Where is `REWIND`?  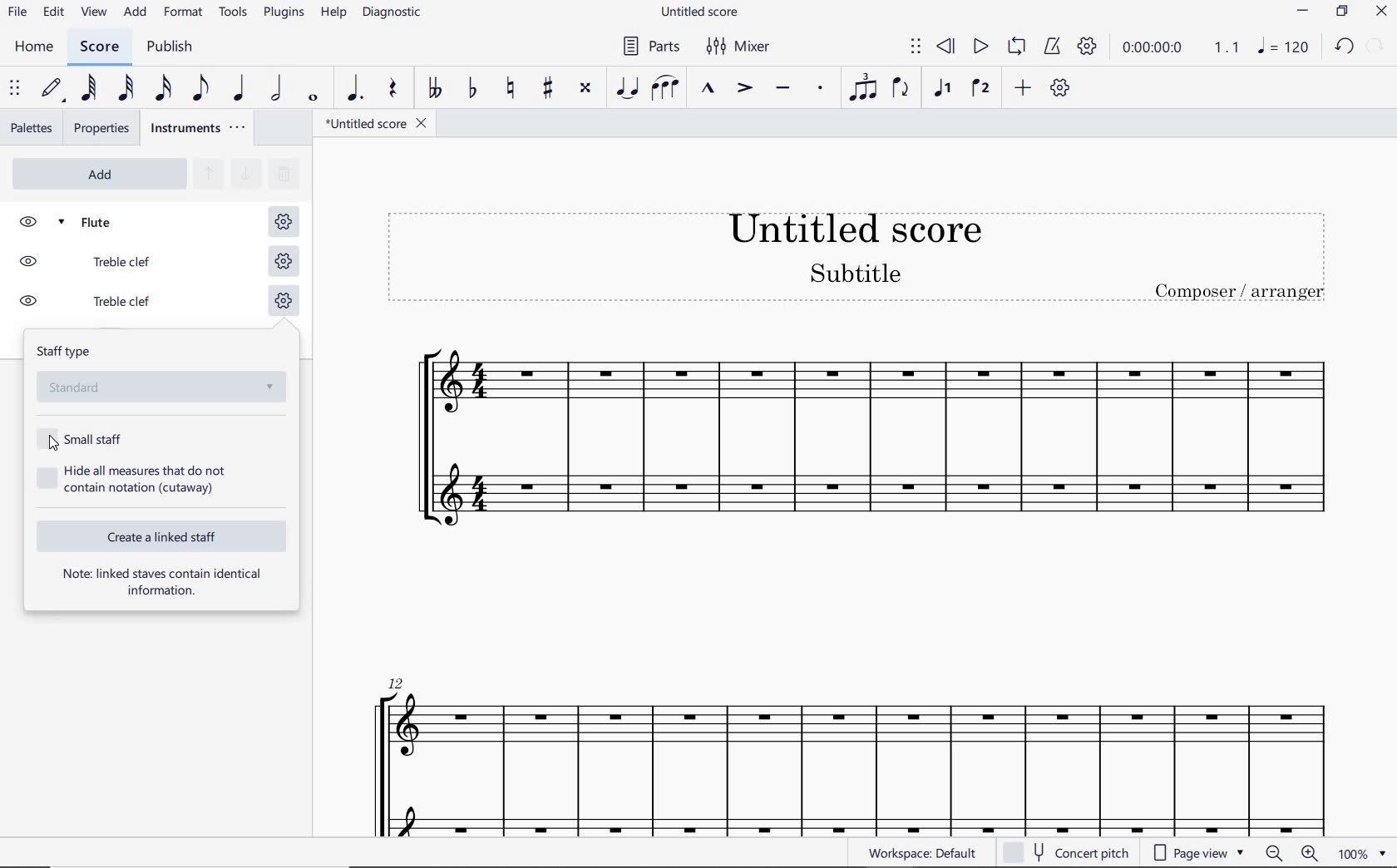 REWIND is located at coordinates (946, 47).